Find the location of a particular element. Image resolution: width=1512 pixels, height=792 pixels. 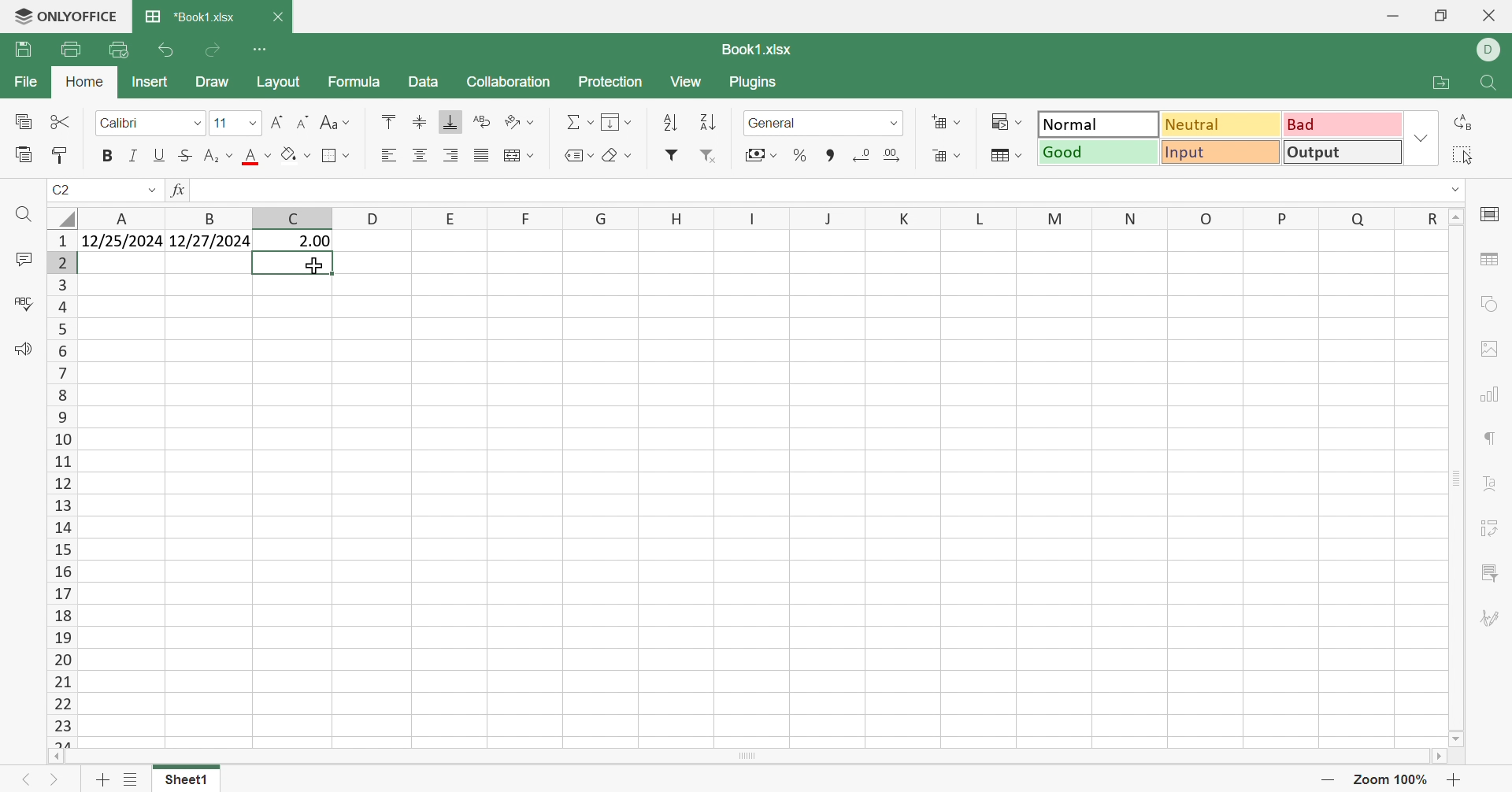

Replace is located at coordinates (1466, 123).